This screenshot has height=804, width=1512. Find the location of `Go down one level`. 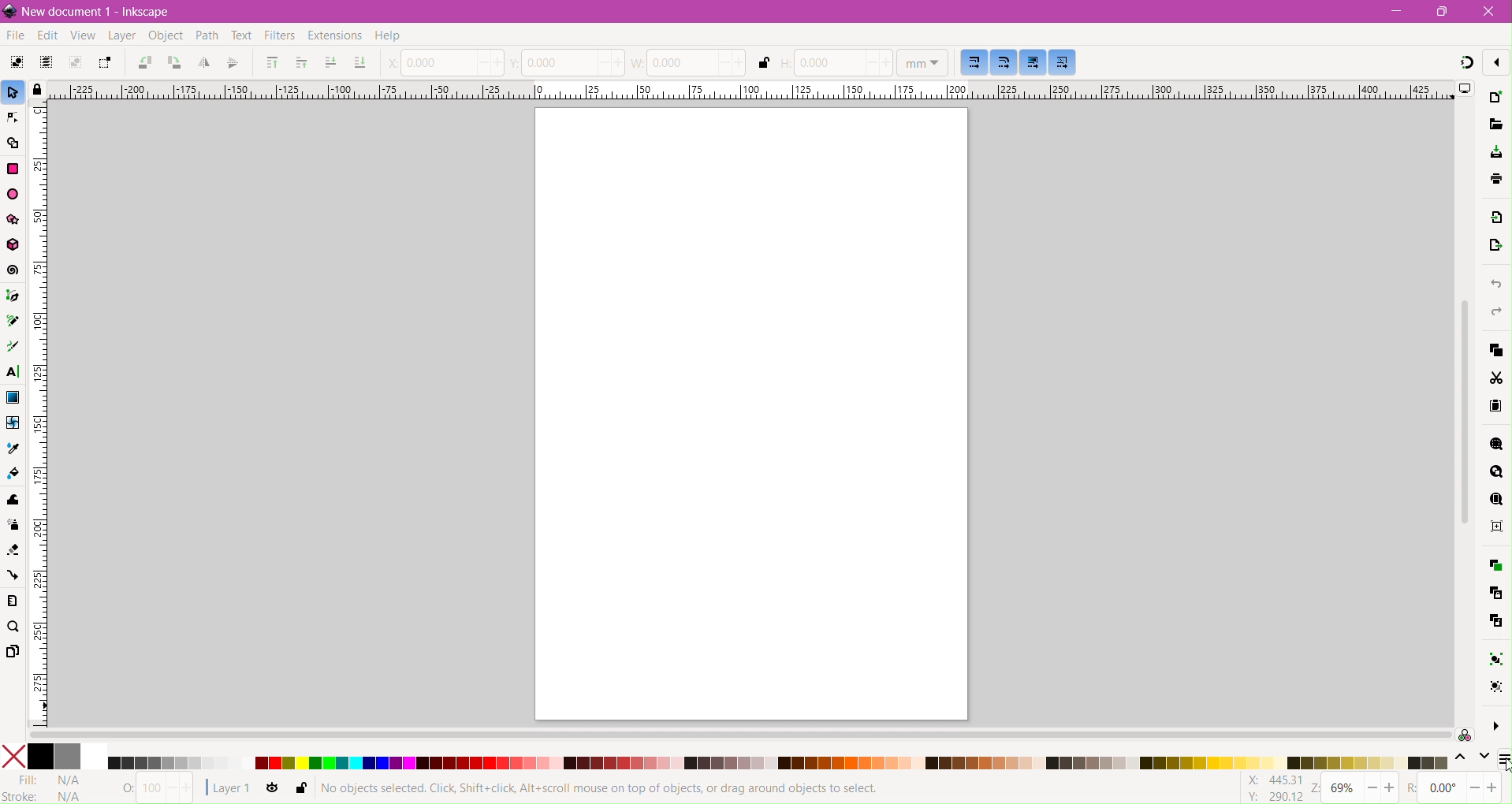

Go down one level is located at coordinates (1484, 760).